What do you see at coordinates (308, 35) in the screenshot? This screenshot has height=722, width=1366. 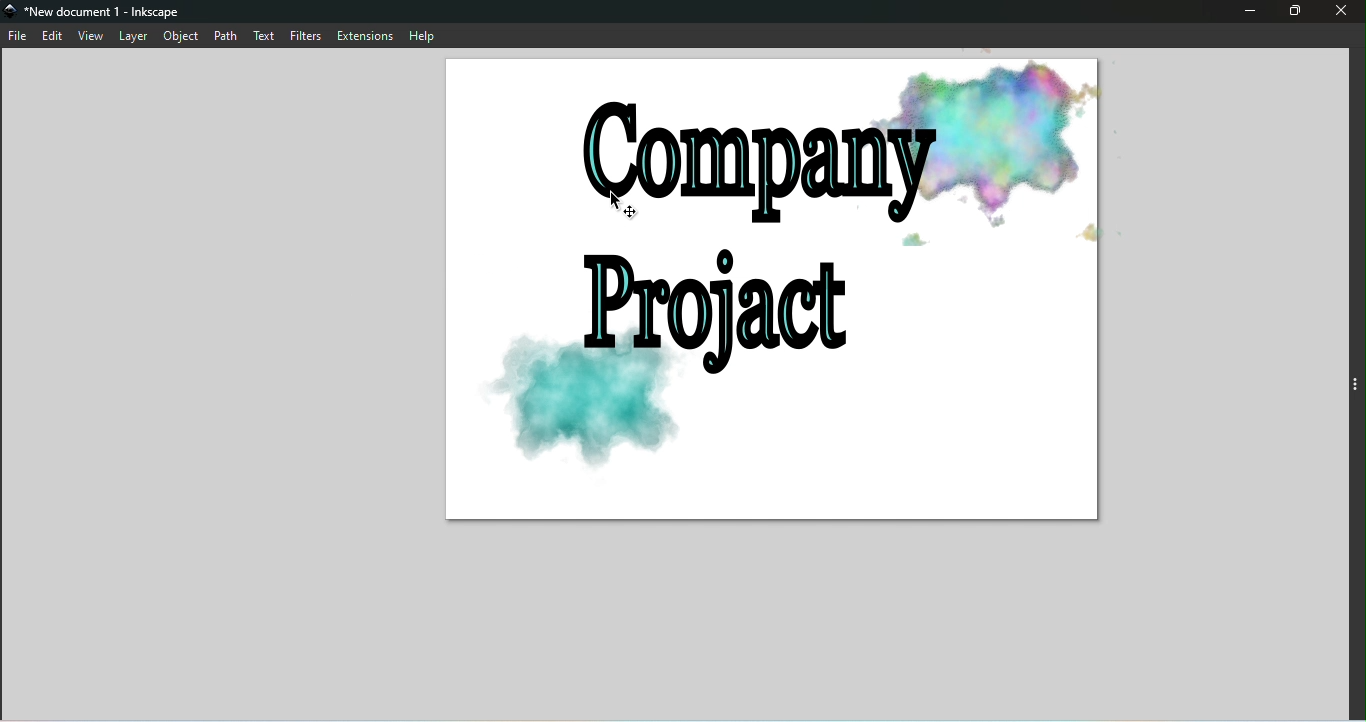 I see `Filters` at bounding box center [308, 35].